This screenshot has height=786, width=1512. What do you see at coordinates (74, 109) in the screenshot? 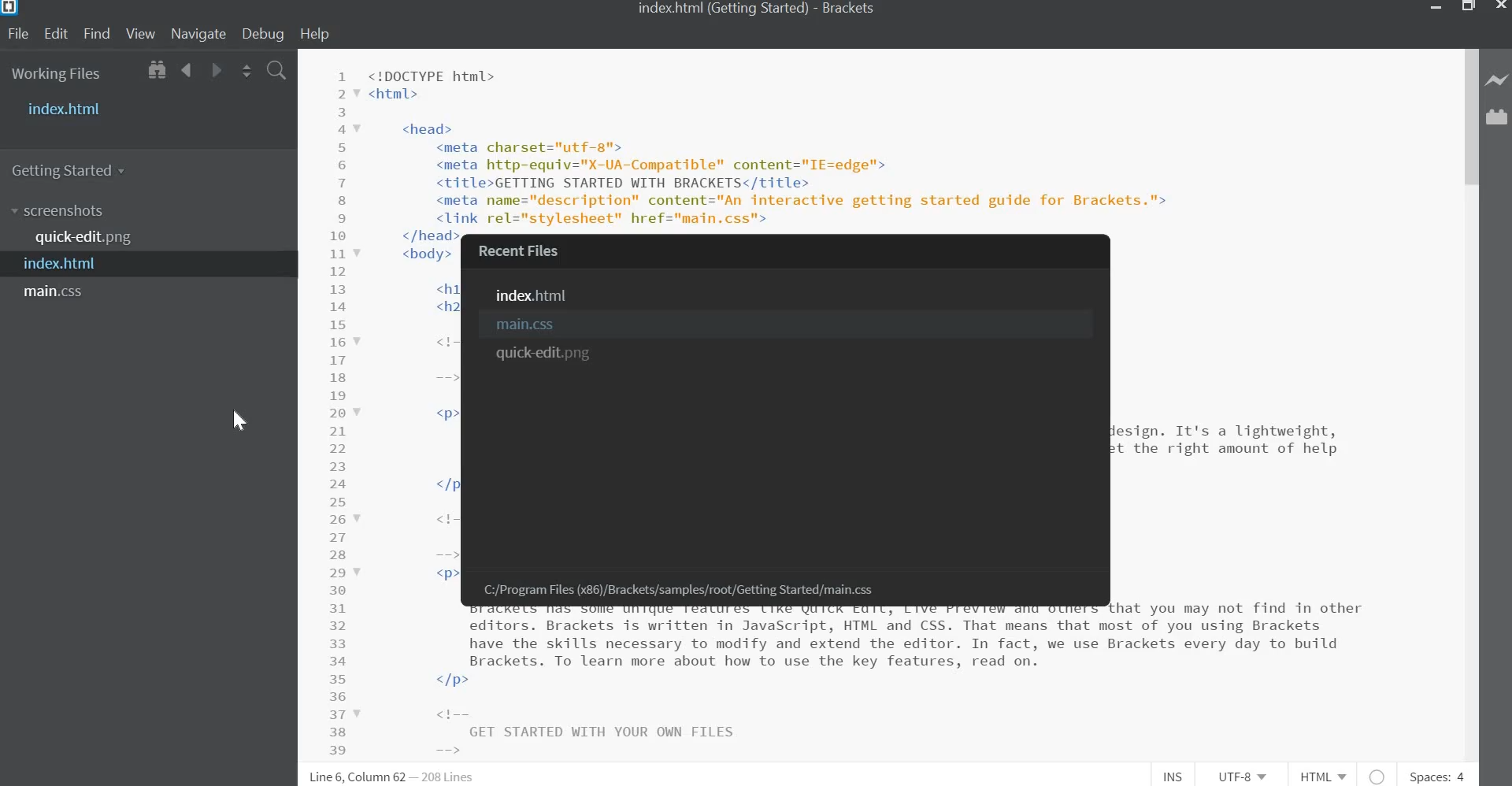
I see `` at bounding box center [74, 109].